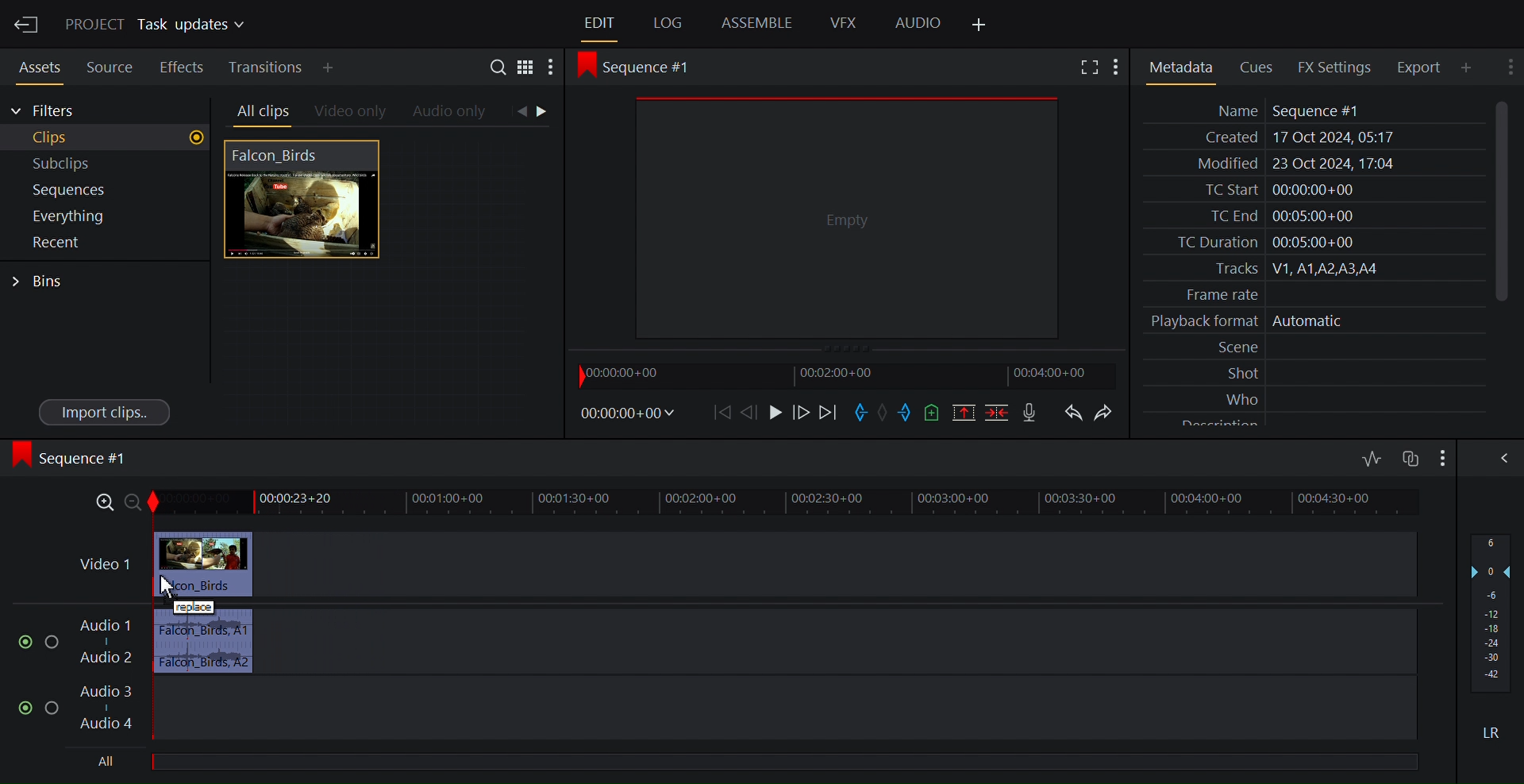 The width and height of the screenshot is (1524, 784). Describe the element at coordinates (159, 25) in the screenshot. I see `Show/Change project details` at that location.